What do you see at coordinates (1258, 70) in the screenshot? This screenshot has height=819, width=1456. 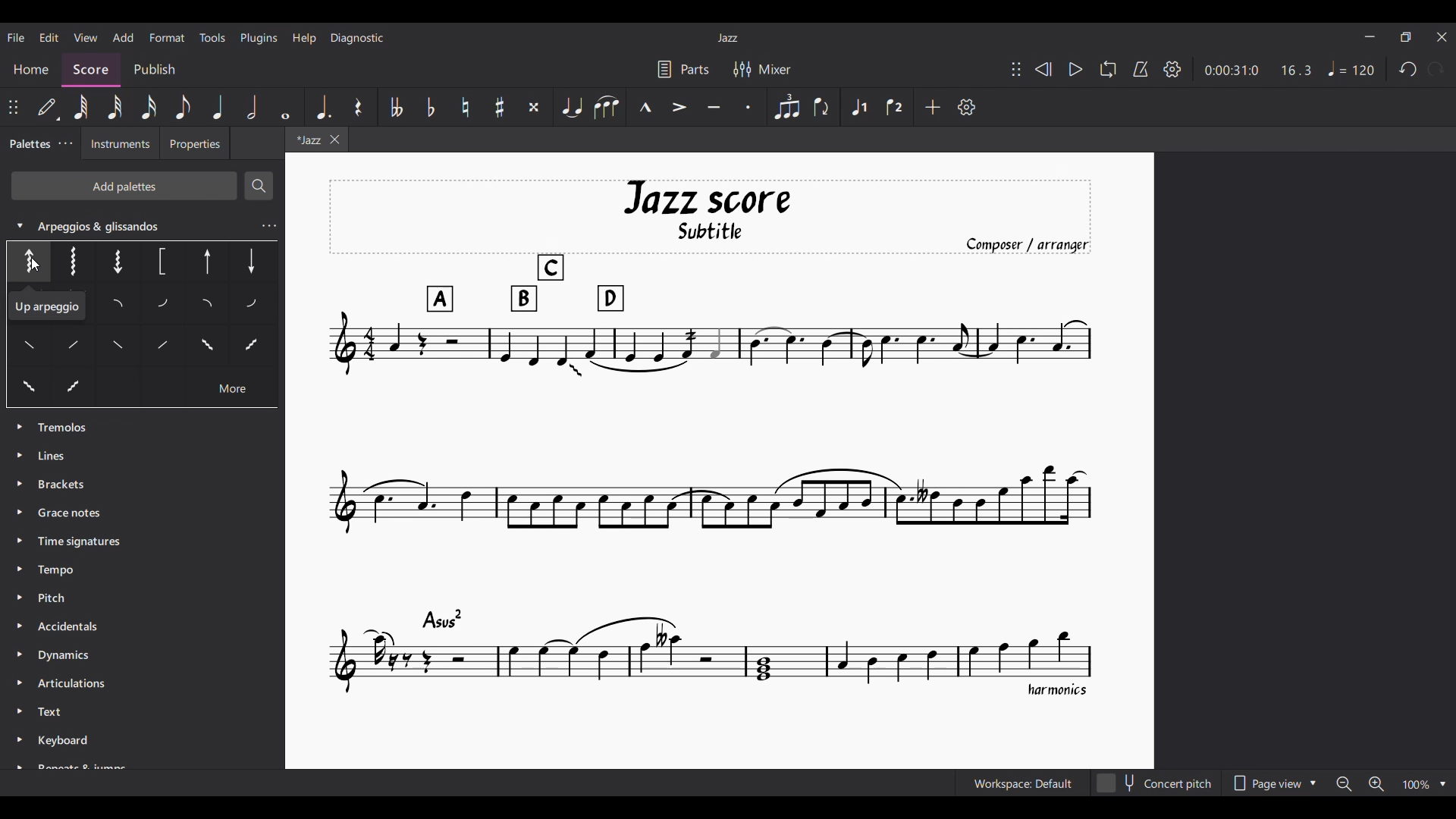 I see `Duration and ratio` at bounding box center [1258, 70].